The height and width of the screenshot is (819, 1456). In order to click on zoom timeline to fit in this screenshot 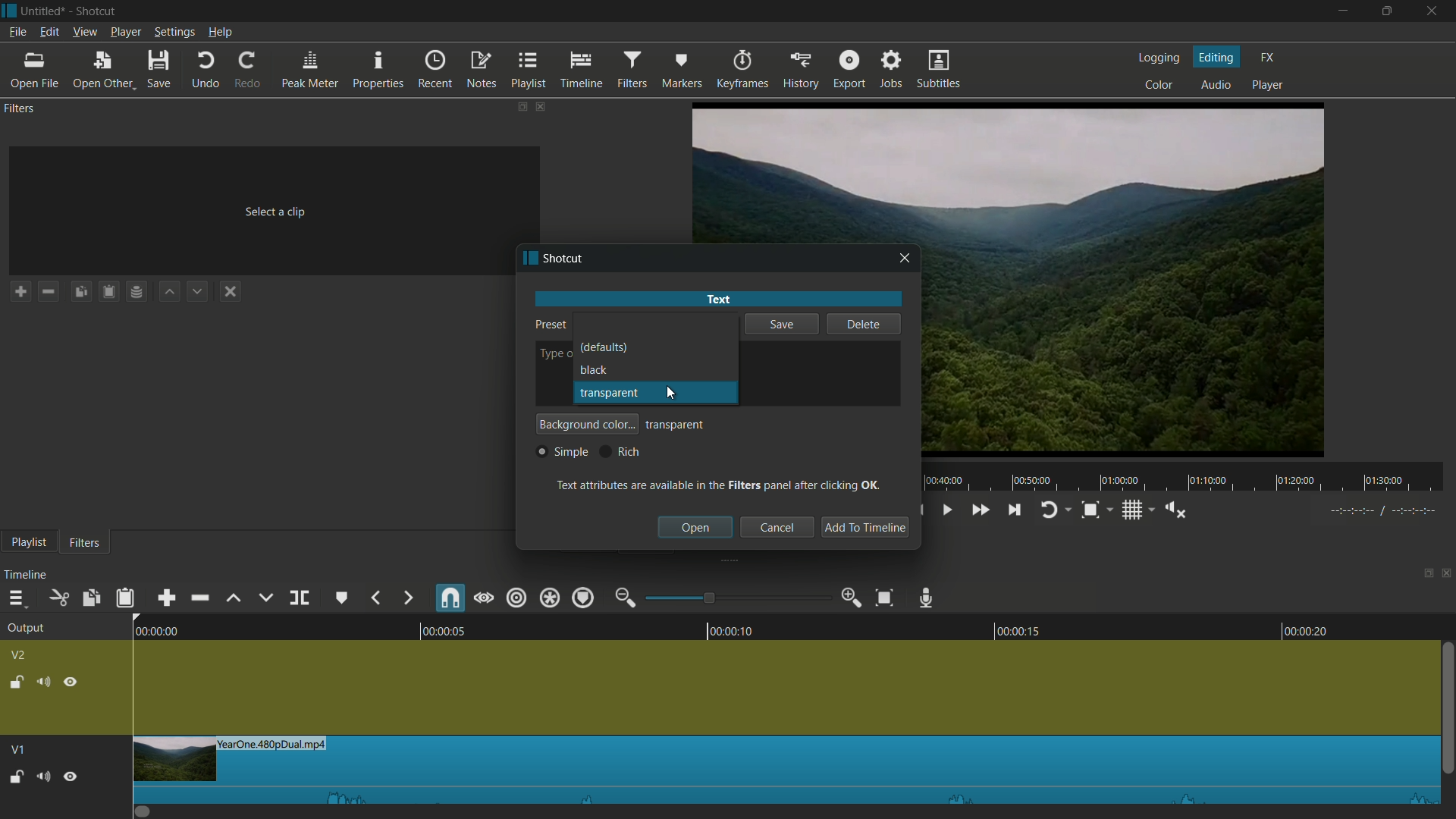, I will do `click(884, 598)`.